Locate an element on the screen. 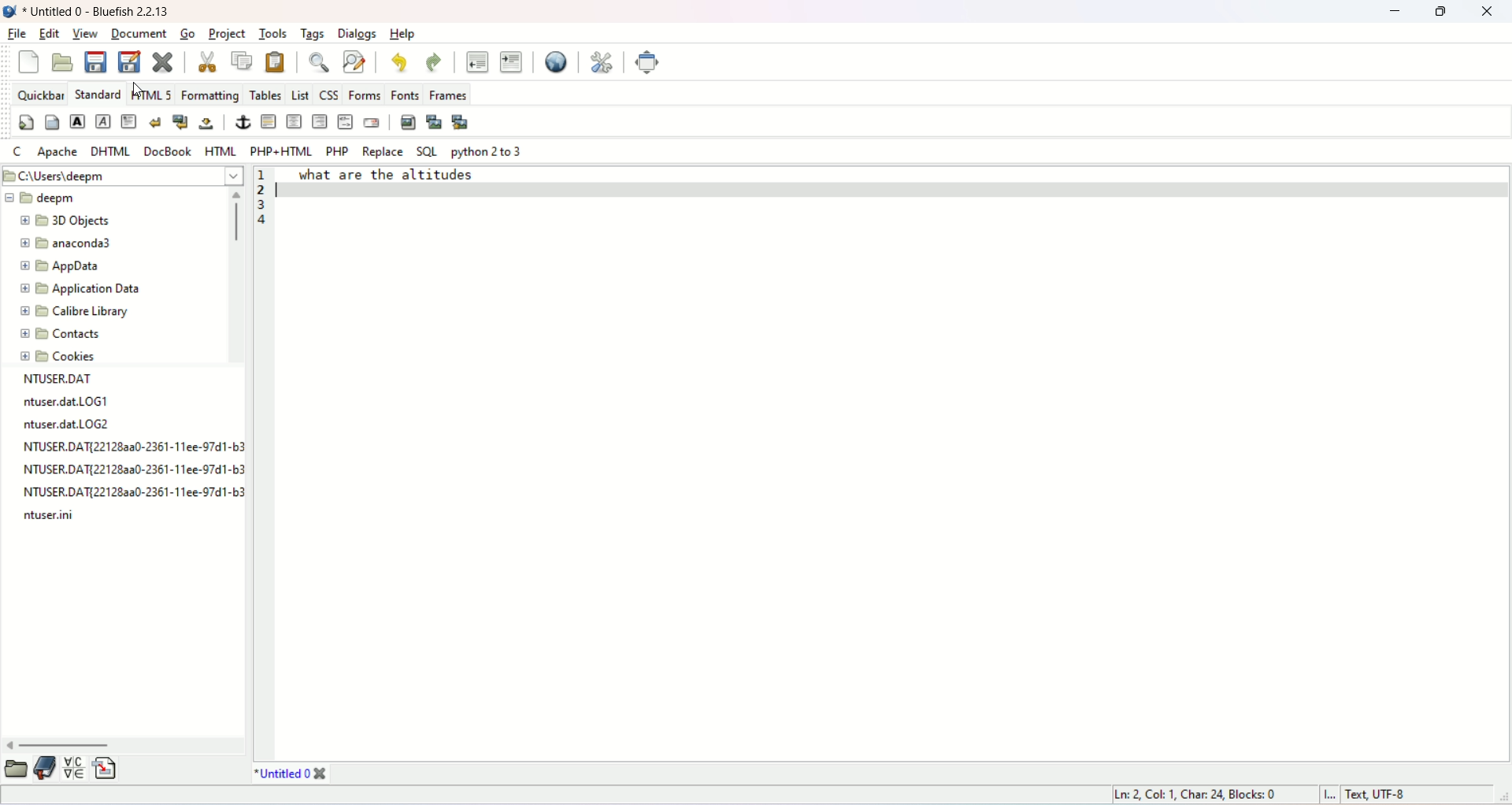 The height and width of the screenshot is (805, 1512). horizontal rule is located at coordinates (268, 122).